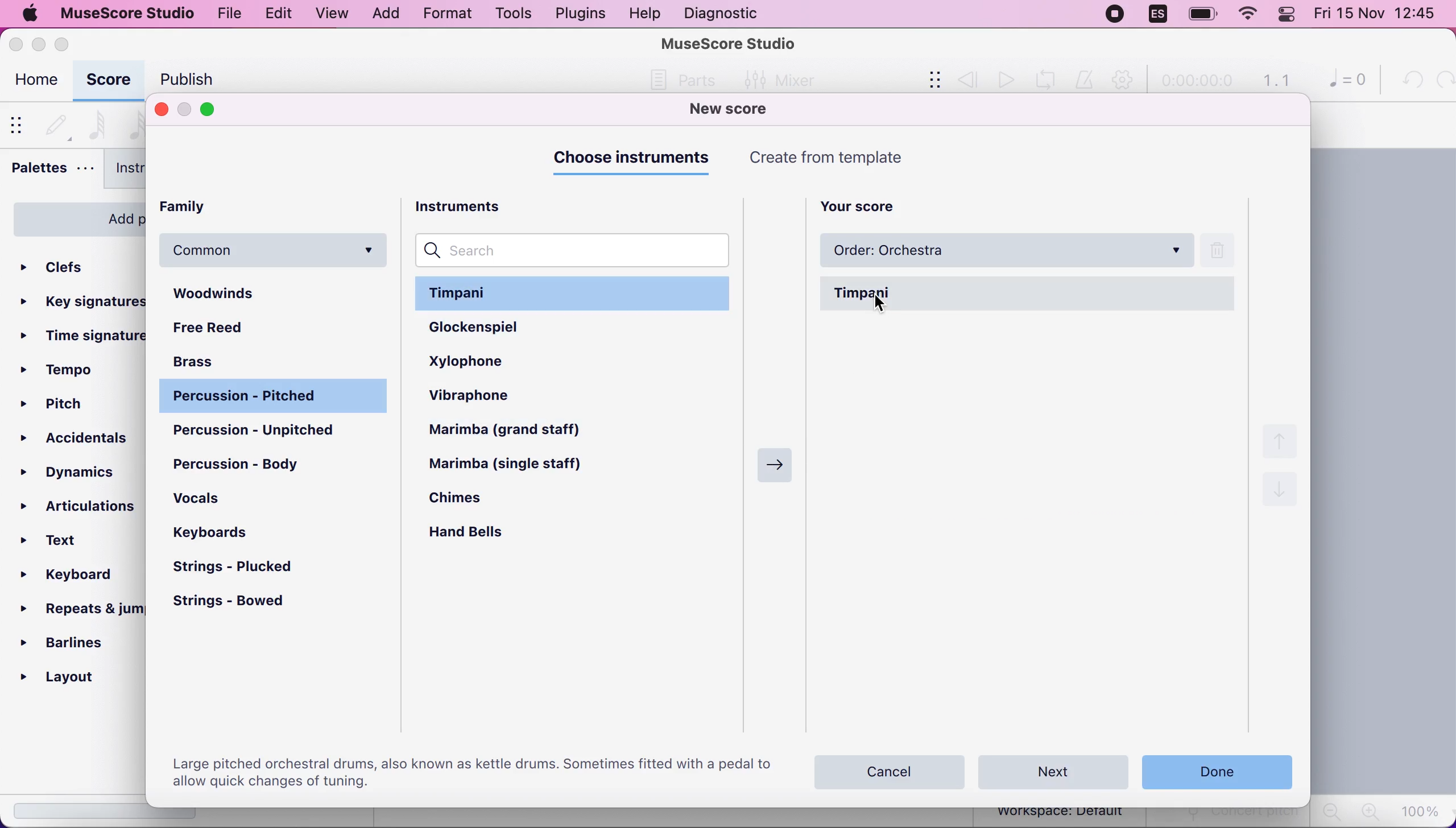 This screenshot has width=1456, height=828. Describe the element at coordinates (1225, 251) in the screenshot. I see `delete` at that location.